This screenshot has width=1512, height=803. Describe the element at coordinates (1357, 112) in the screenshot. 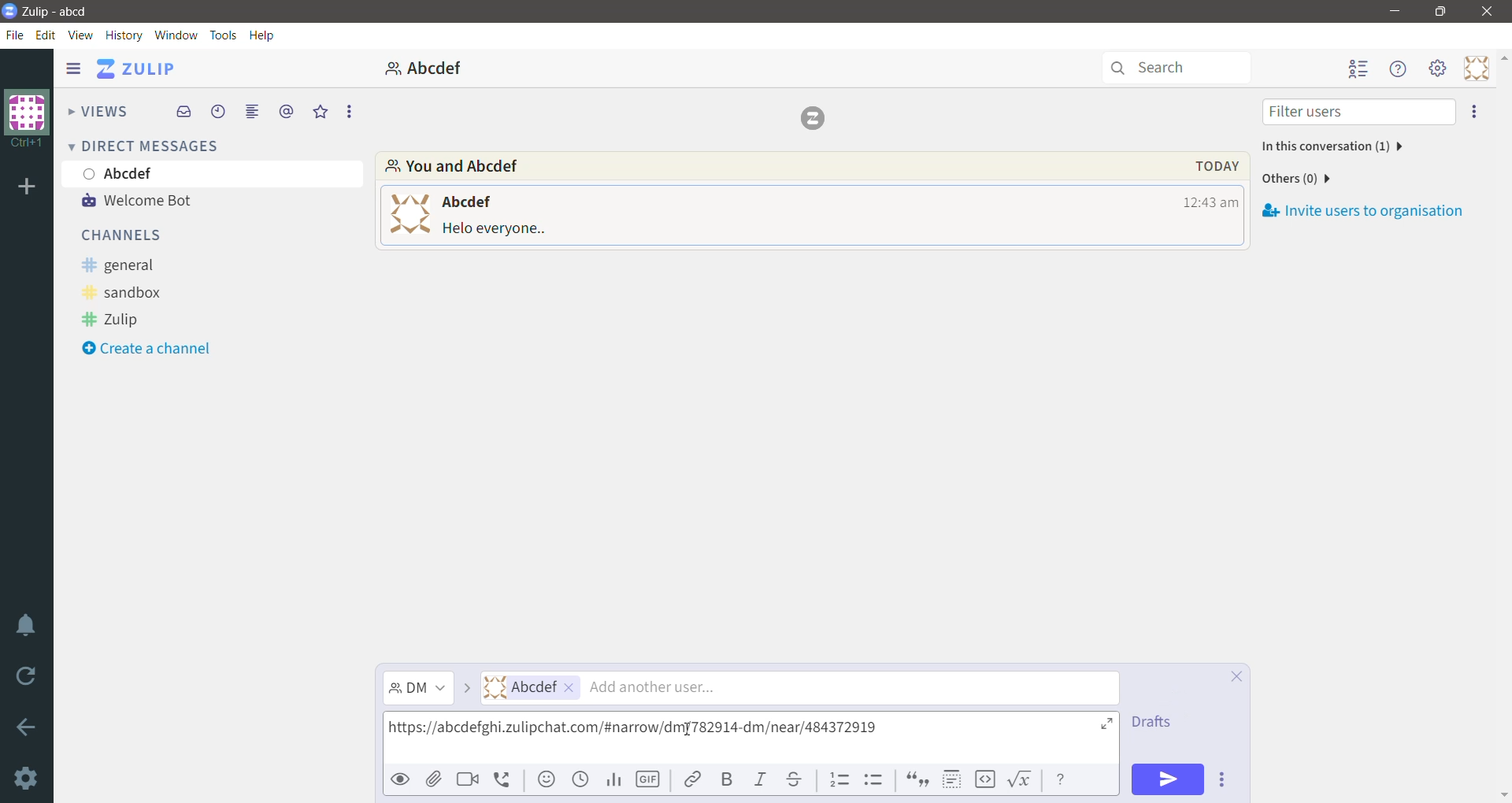

I see `Filter users` at that location.